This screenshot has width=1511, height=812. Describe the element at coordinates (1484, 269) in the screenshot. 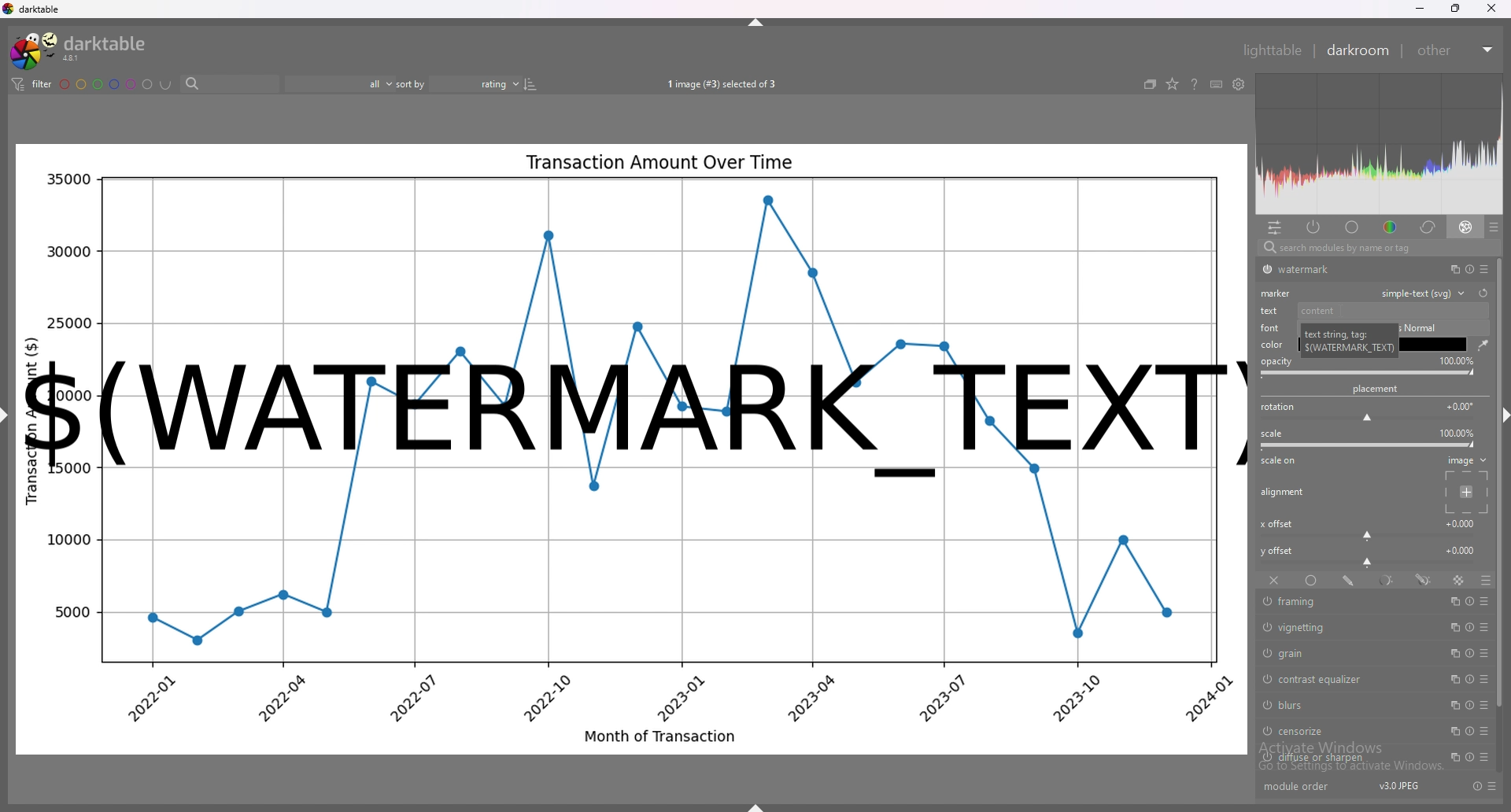

I see `presets` at that location.